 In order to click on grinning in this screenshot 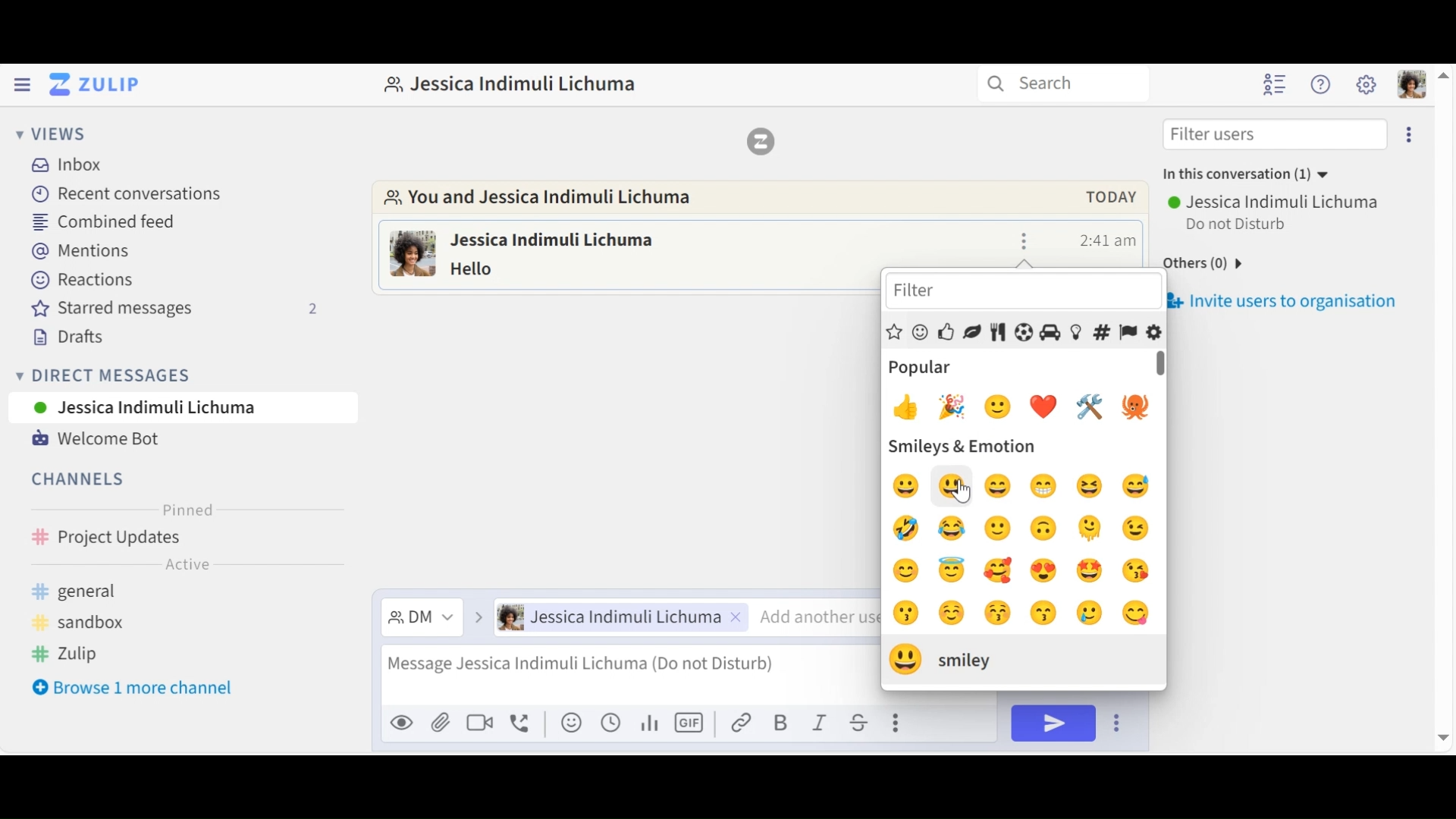, I will do `click(999, 484)`.